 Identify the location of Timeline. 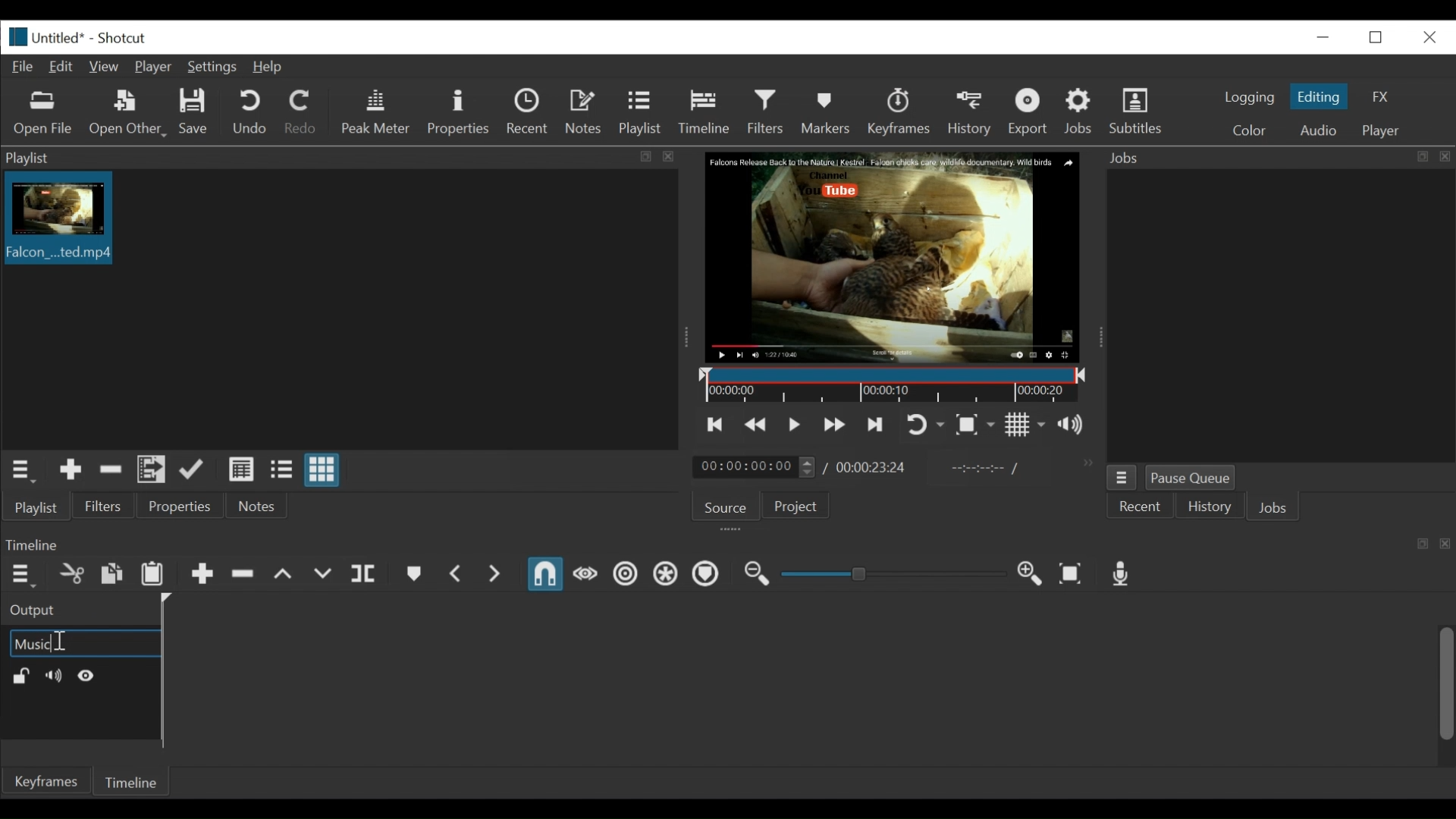
(127, 783).